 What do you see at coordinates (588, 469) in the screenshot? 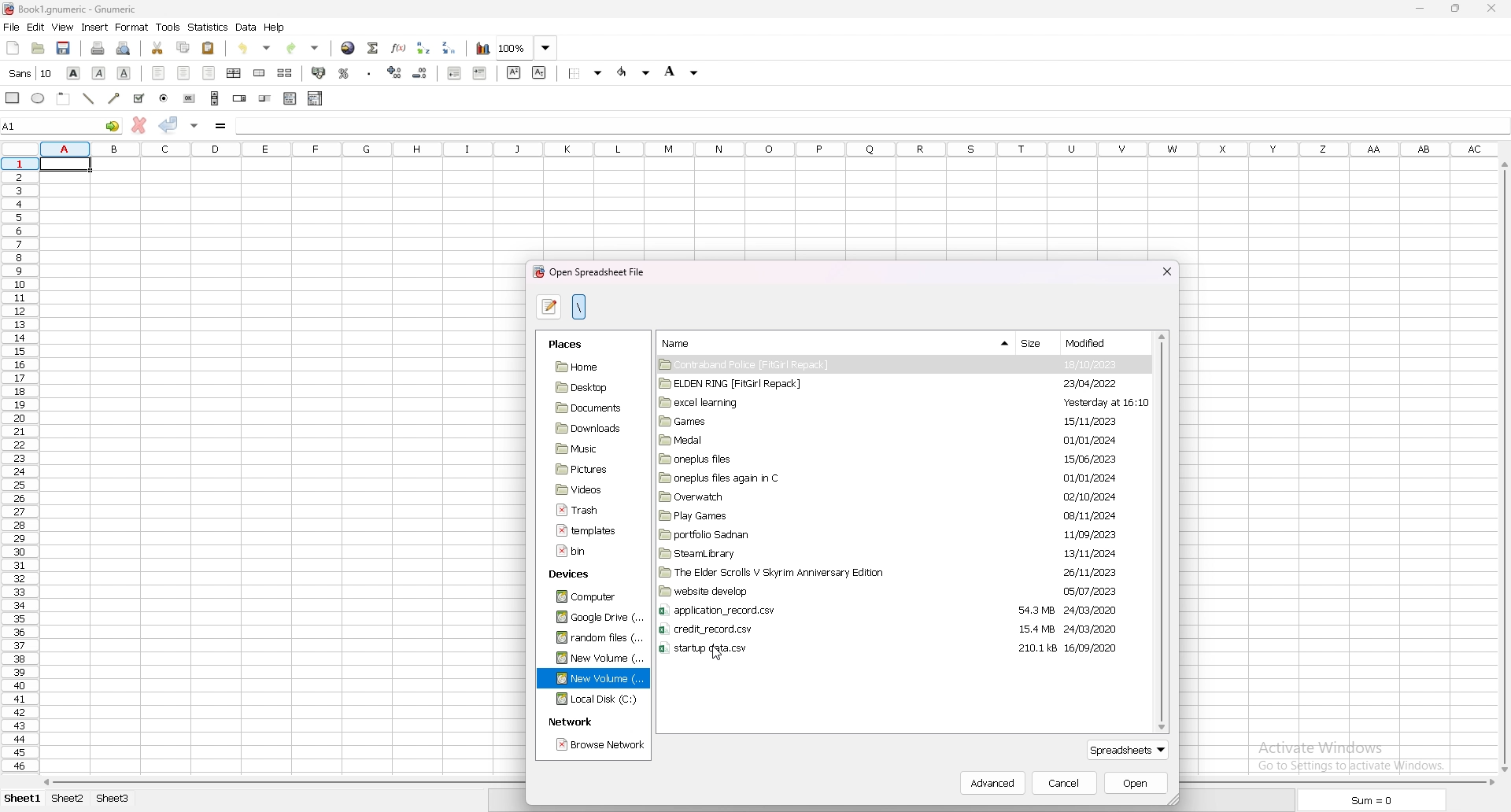
I see `folder` at bounding box center [588, 469].